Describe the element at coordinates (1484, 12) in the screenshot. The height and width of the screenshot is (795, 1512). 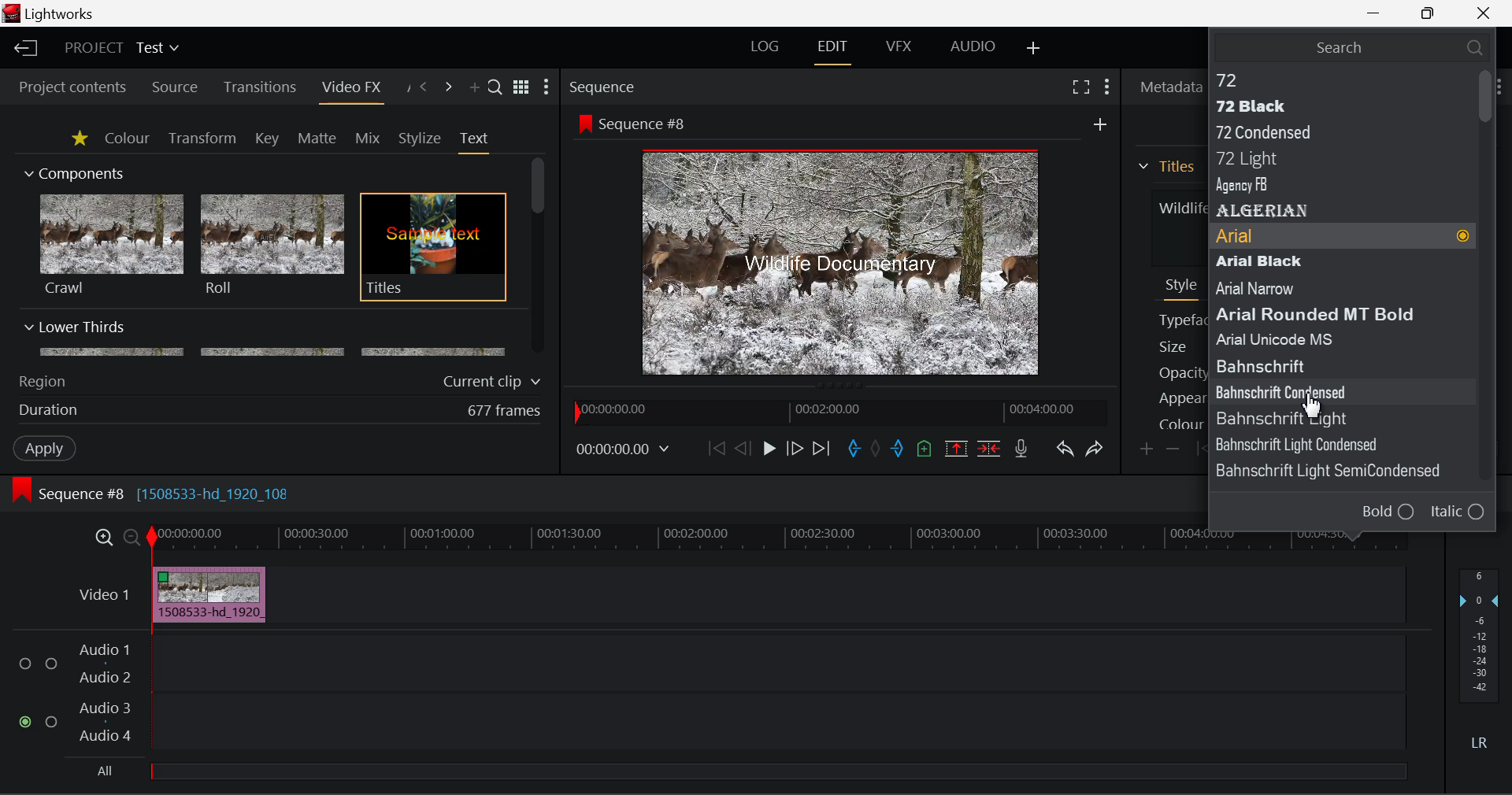
I see `Close` at that location.